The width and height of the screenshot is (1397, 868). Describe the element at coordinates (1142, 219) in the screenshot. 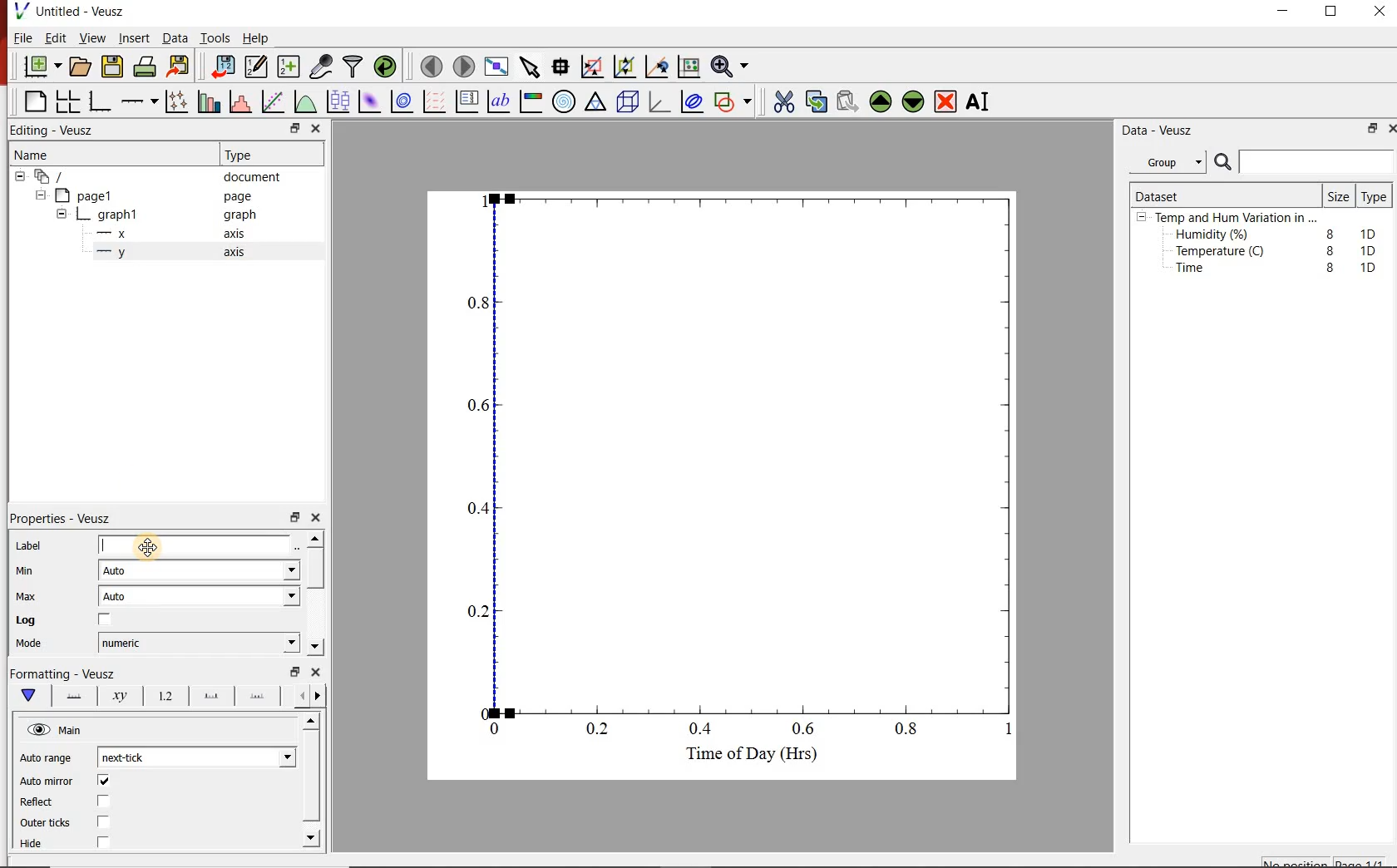

I see `hide sub menu` at that location.